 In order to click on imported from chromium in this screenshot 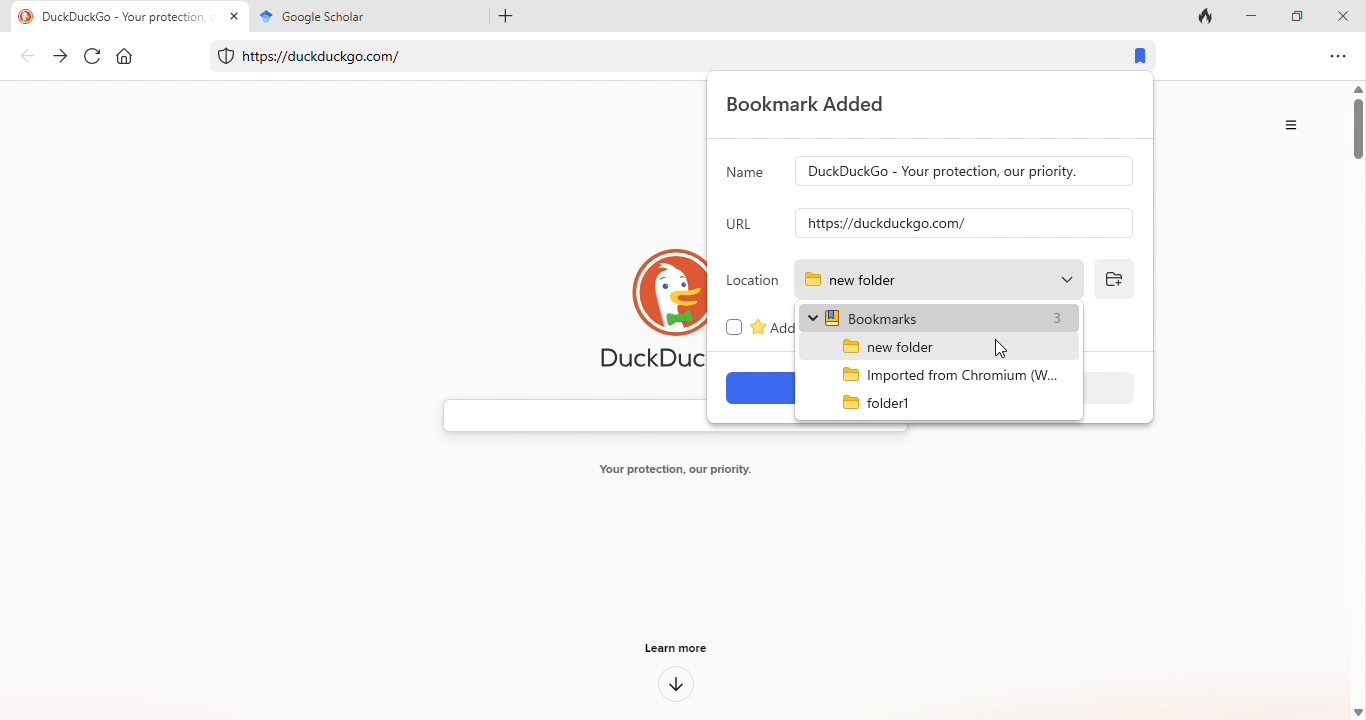, I will do `click(939, 372)`.